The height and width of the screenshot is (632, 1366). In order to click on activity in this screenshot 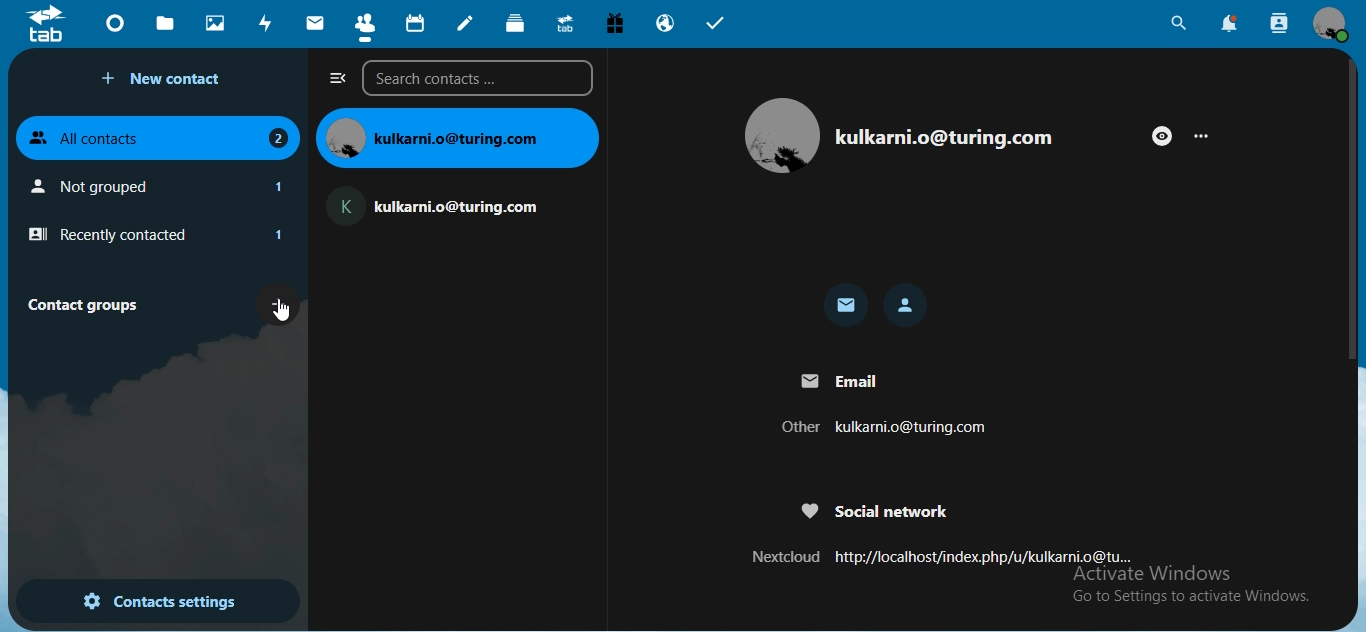, I will do `click(267, 23)`.